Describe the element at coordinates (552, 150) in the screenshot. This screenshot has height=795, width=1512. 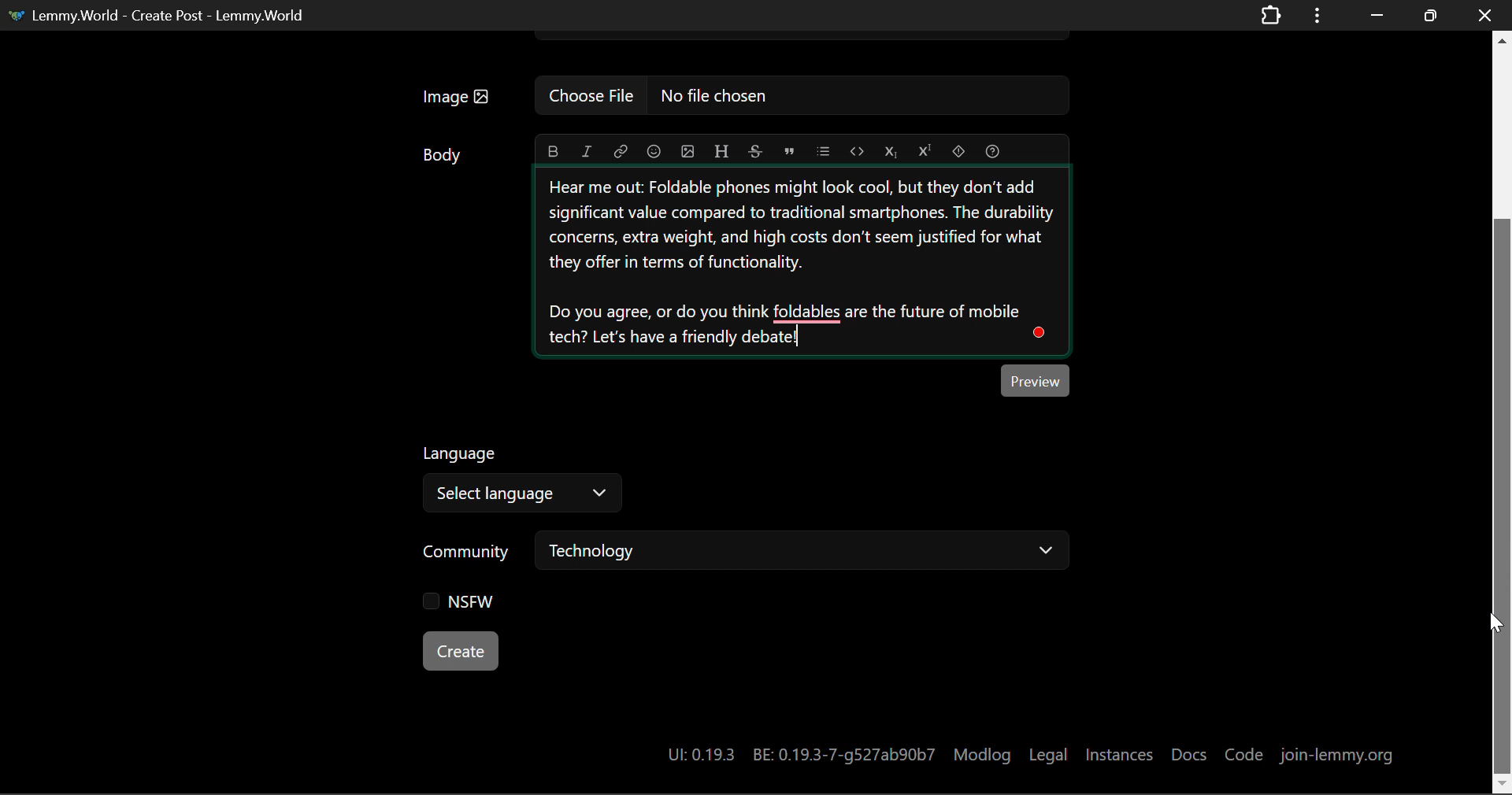
I see `bold` at that location.